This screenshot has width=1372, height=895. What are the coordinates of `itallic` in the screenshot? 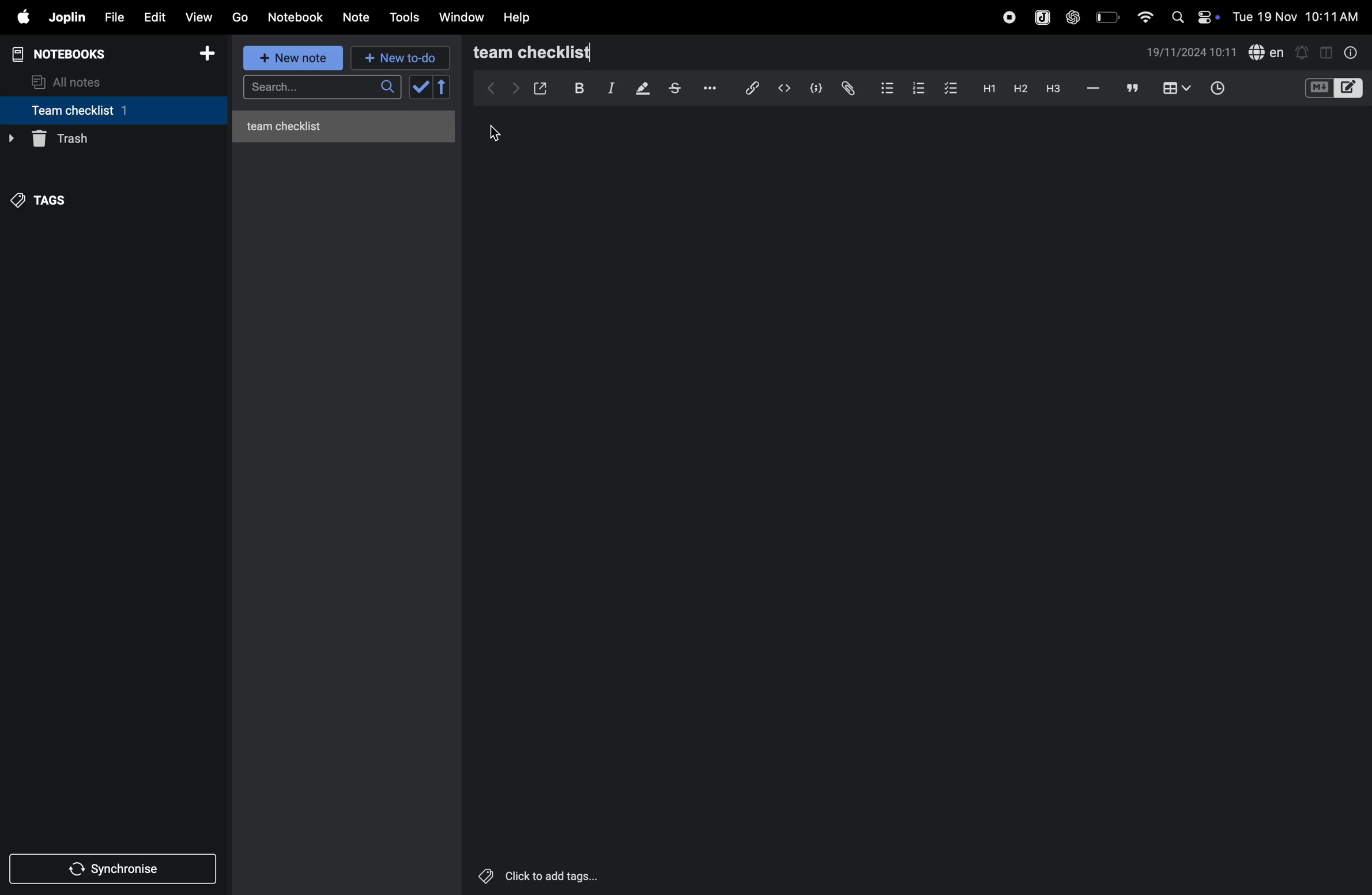 It's located at (609, 88).